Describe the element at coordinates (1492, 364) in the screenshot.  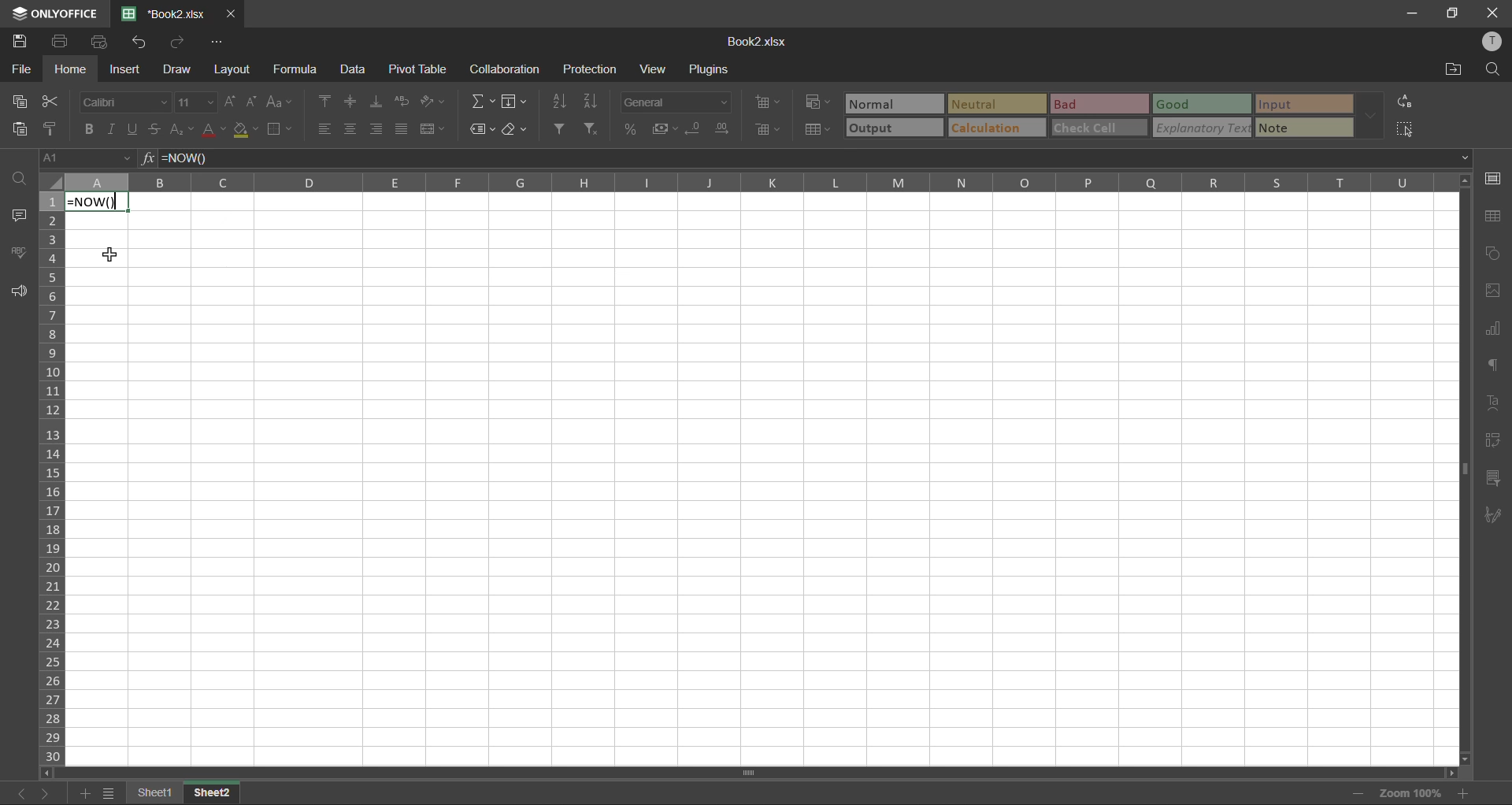
I see `paragraph` at that location.